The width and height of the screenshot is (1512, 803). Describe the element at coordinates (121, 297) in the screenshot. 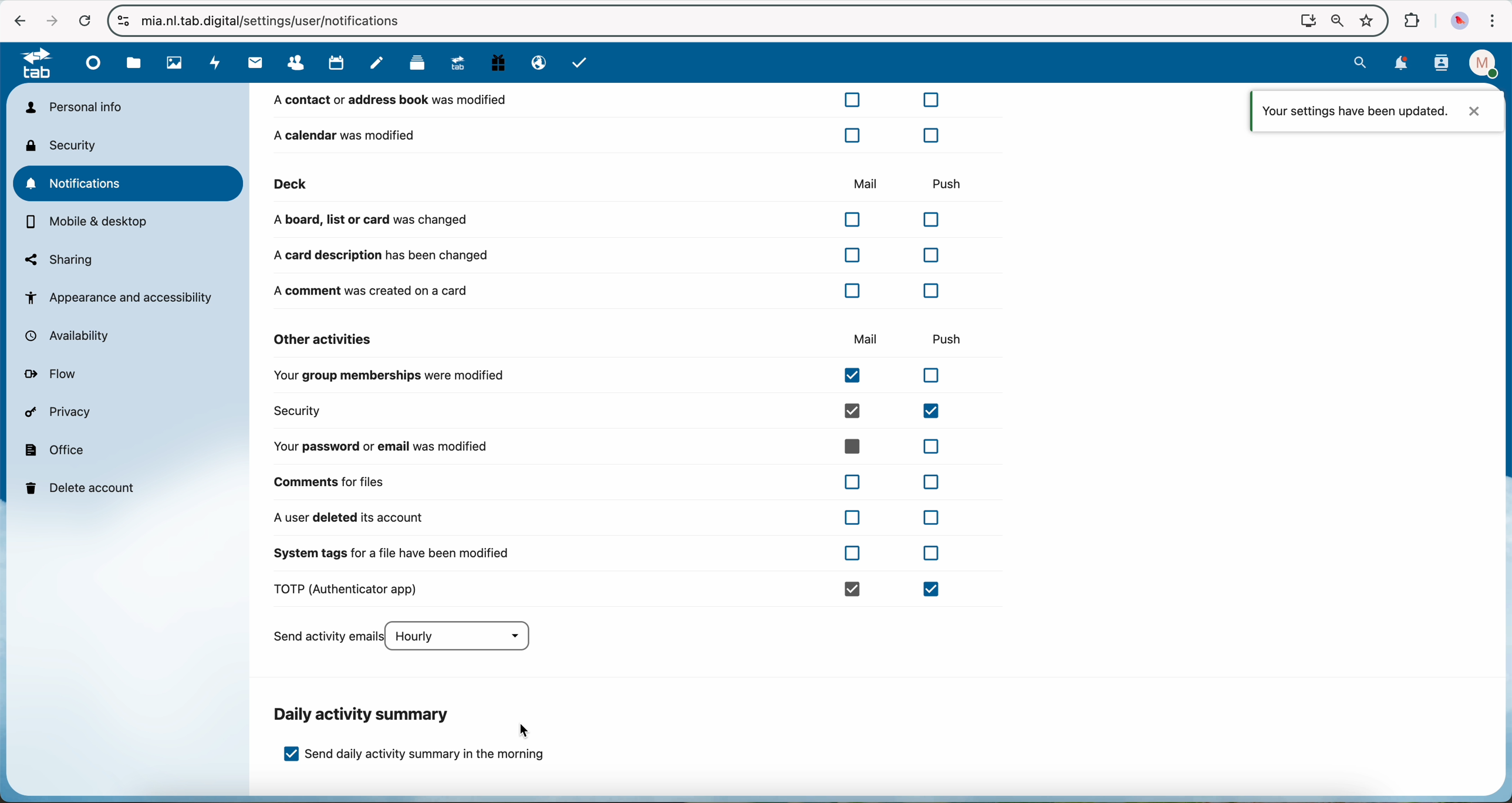

I see `appearance and accessibility` at that location.